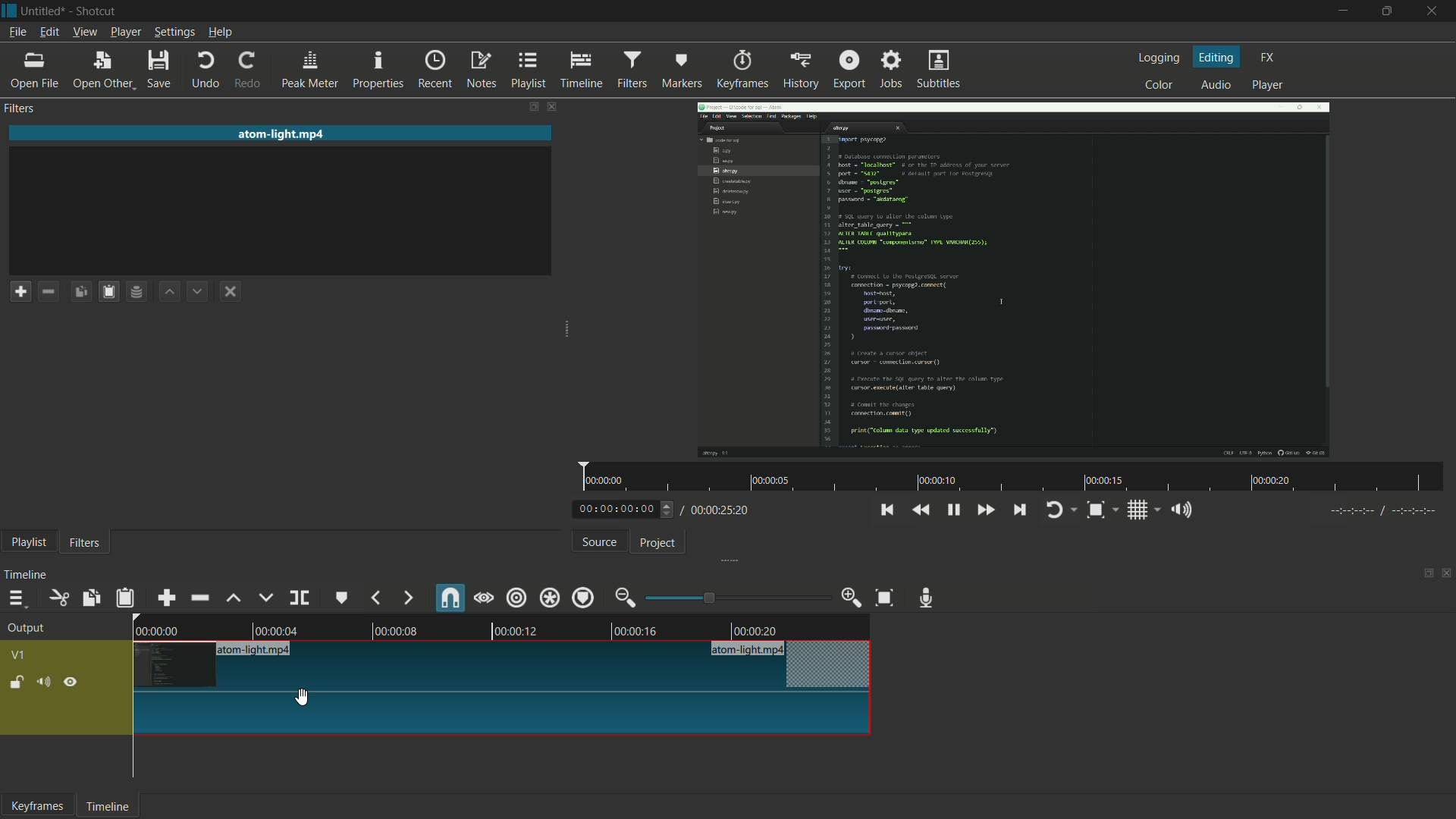 The image size is (1456, 819). I want to click on timeline, so click(28, 576).